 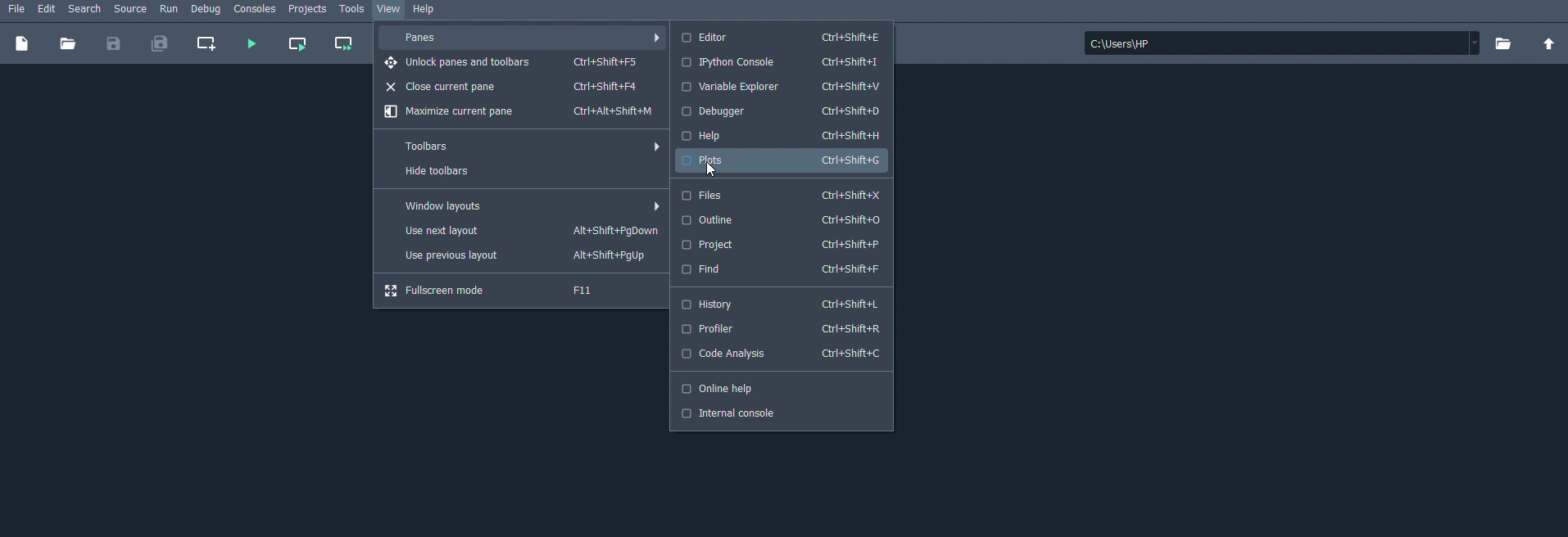 What do you see at coordinates (505, 291) in the screenshot?
I see `Fullscreen mode` at bounding box center [505, 291].